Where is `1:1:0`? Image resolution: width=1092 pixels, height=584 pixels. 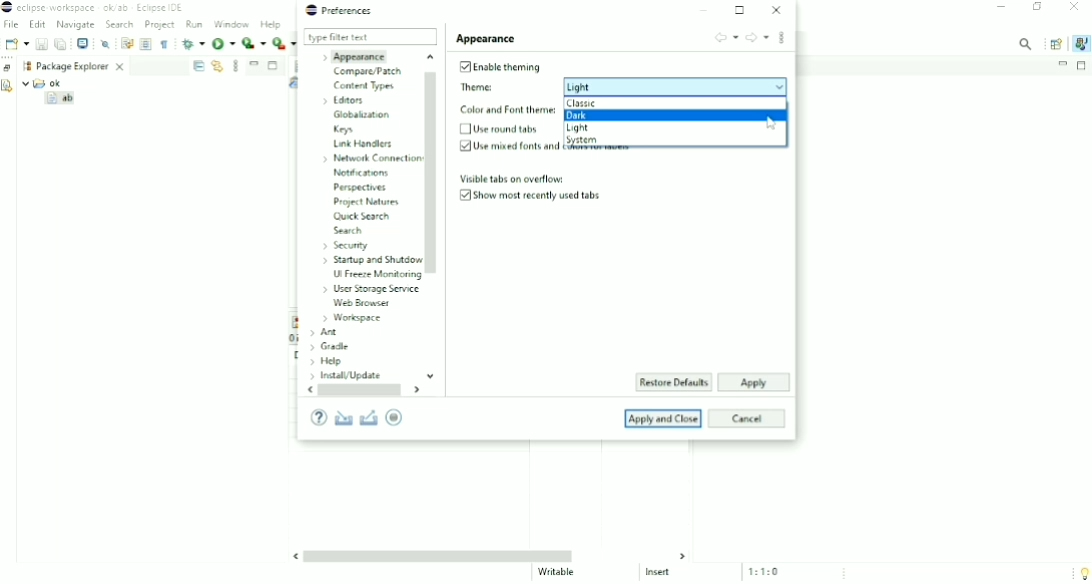
1:1:0 is located at coordinates (770, 571).